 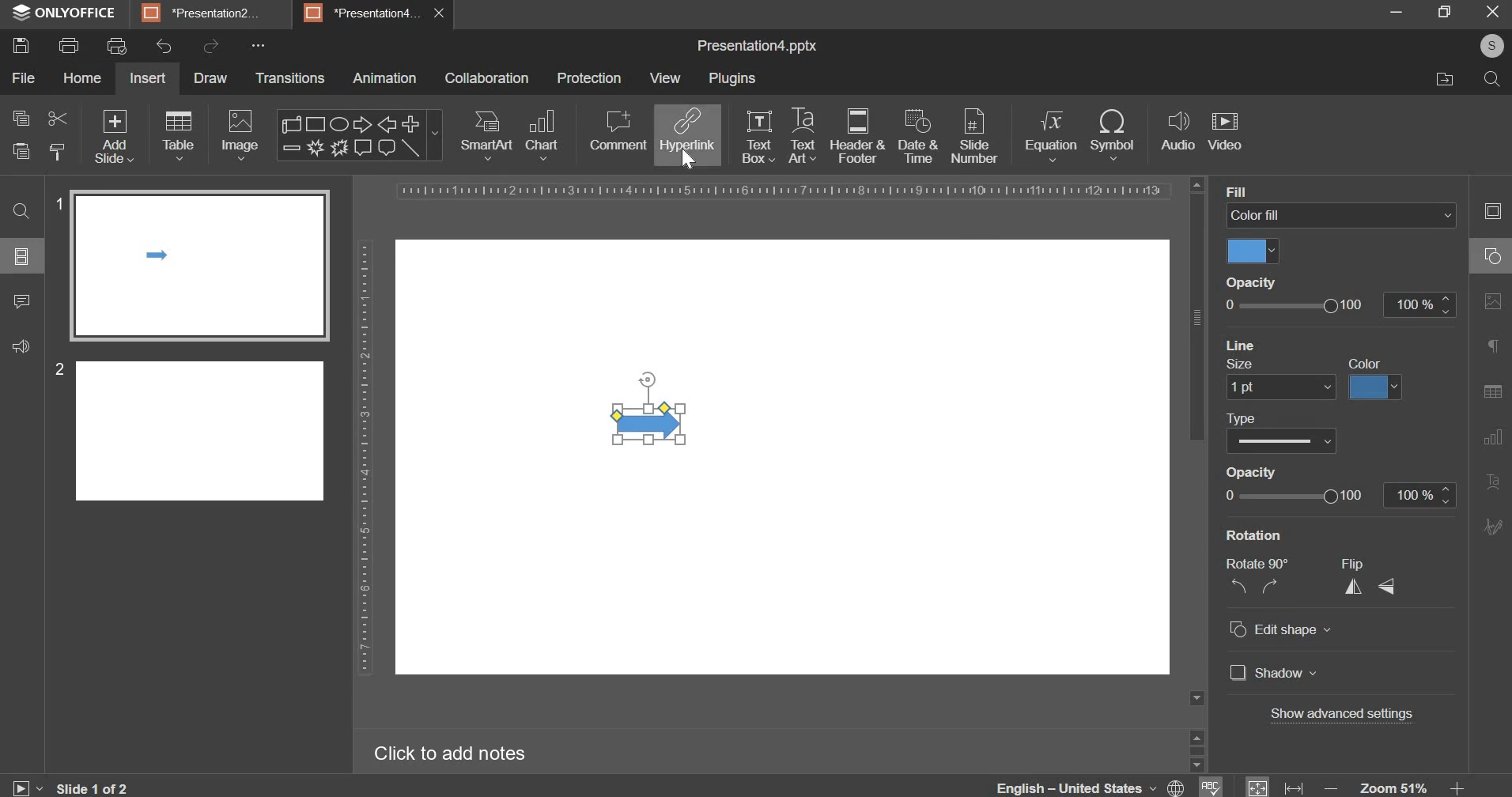 I want to click on print preview, so click(x=117, y=47).